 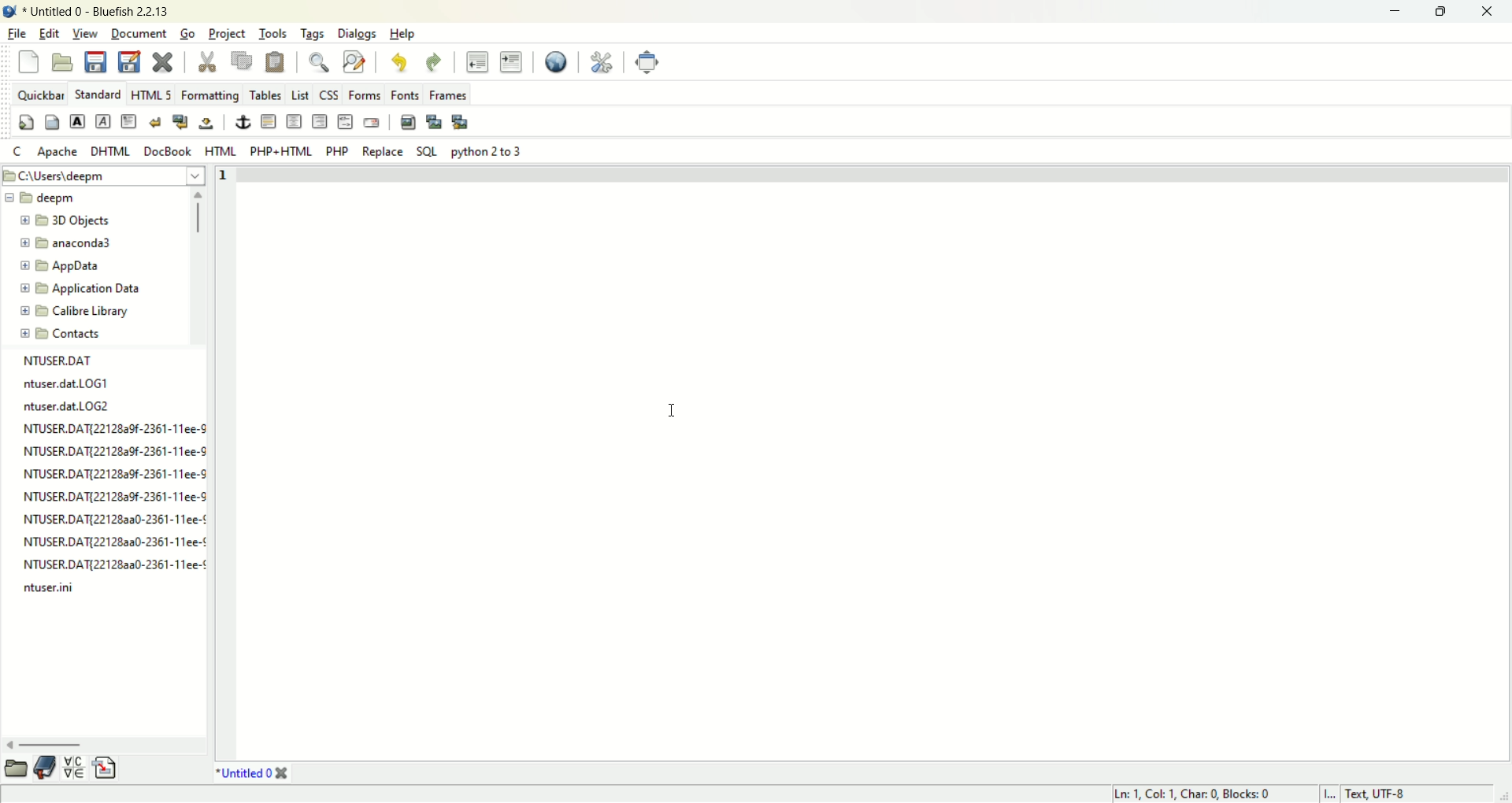 What do you see at coordinates (76, 405) in the screenshot?
I see `ntuser.dat.LOG2` at bounding box center [76, 405].